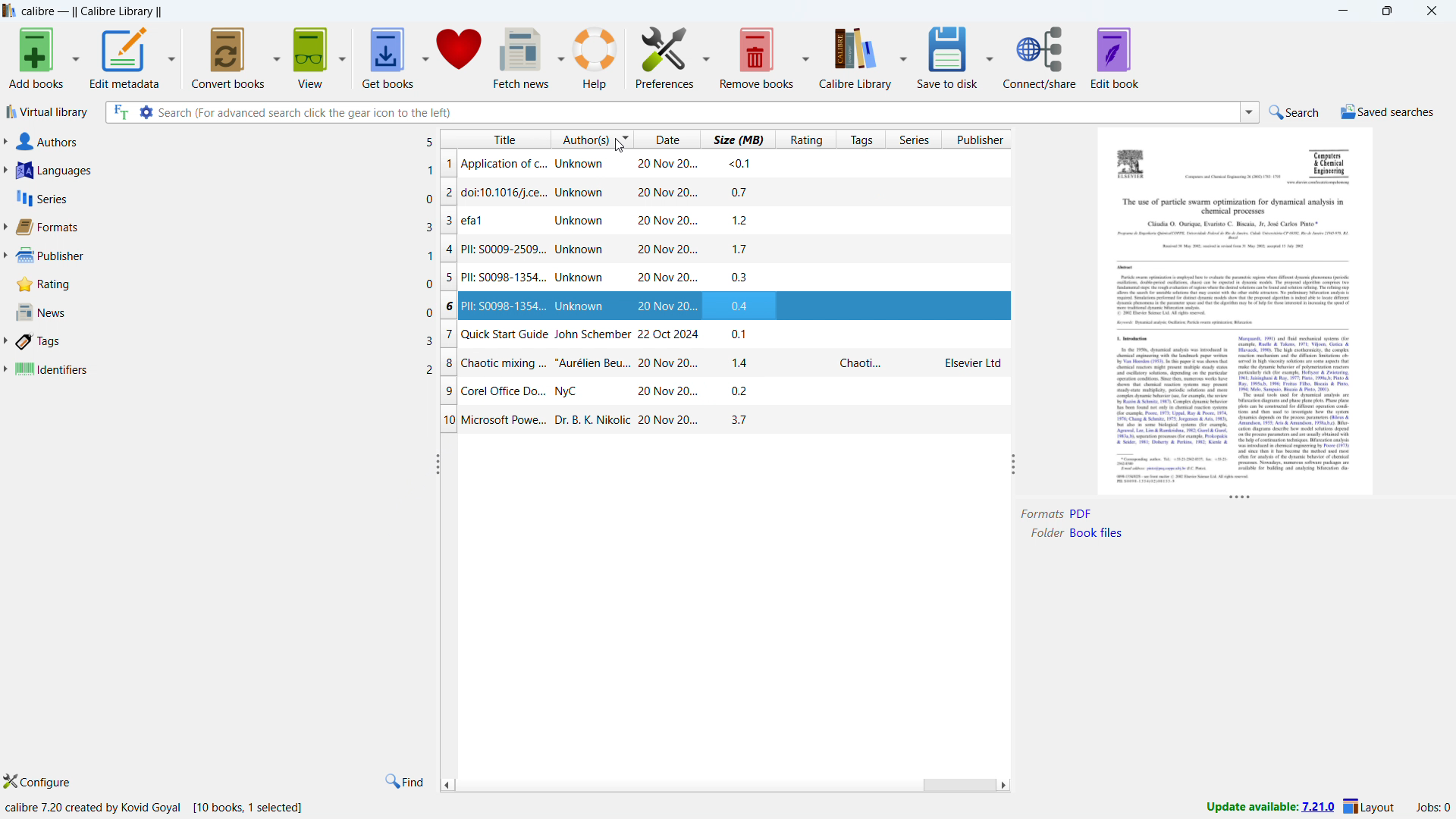 The image size is (1456, 819). Describe the element at coordinates (229, 58) in the screenshot. I see `convert books` at that location.